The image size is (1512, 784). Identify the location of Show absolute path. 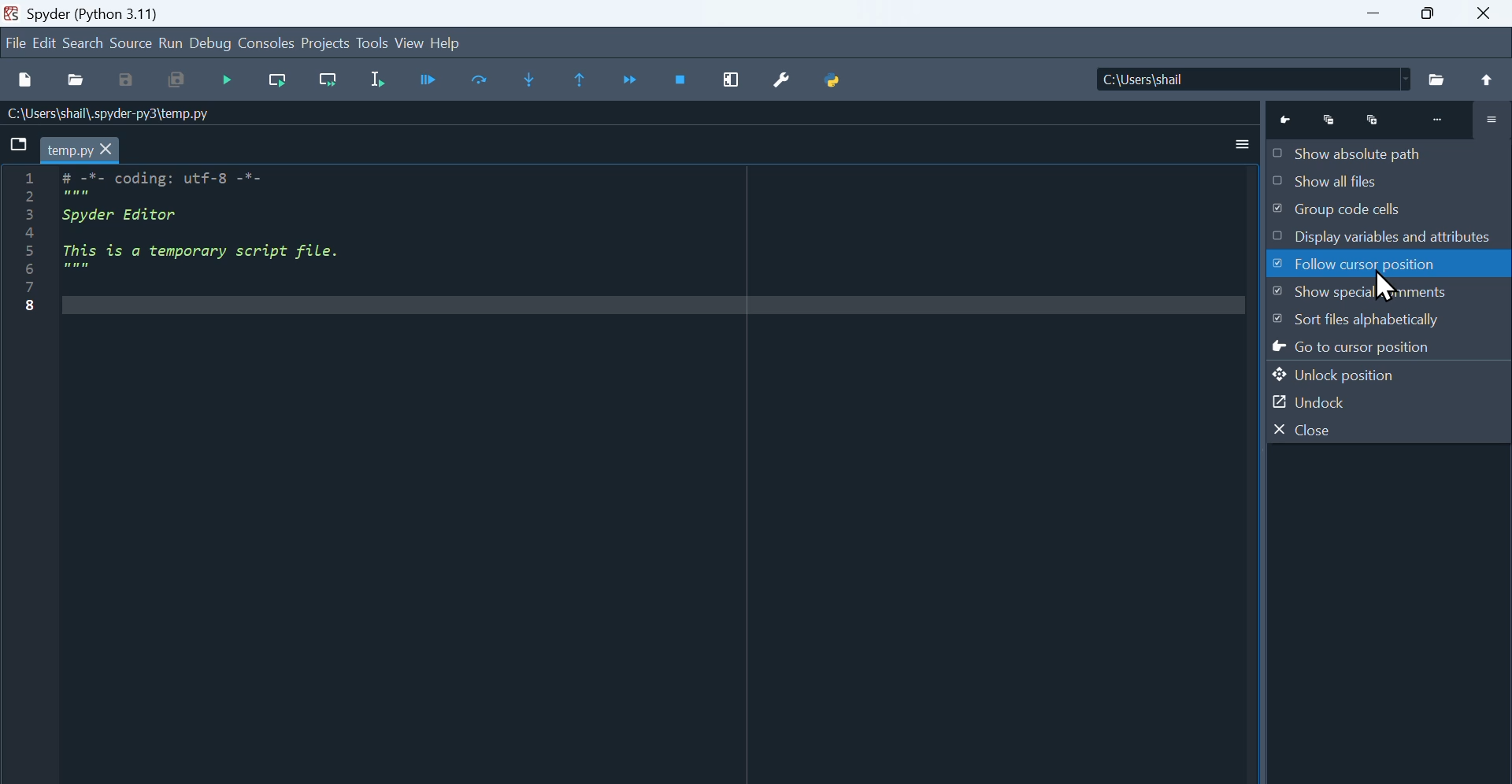
(1368, 151).